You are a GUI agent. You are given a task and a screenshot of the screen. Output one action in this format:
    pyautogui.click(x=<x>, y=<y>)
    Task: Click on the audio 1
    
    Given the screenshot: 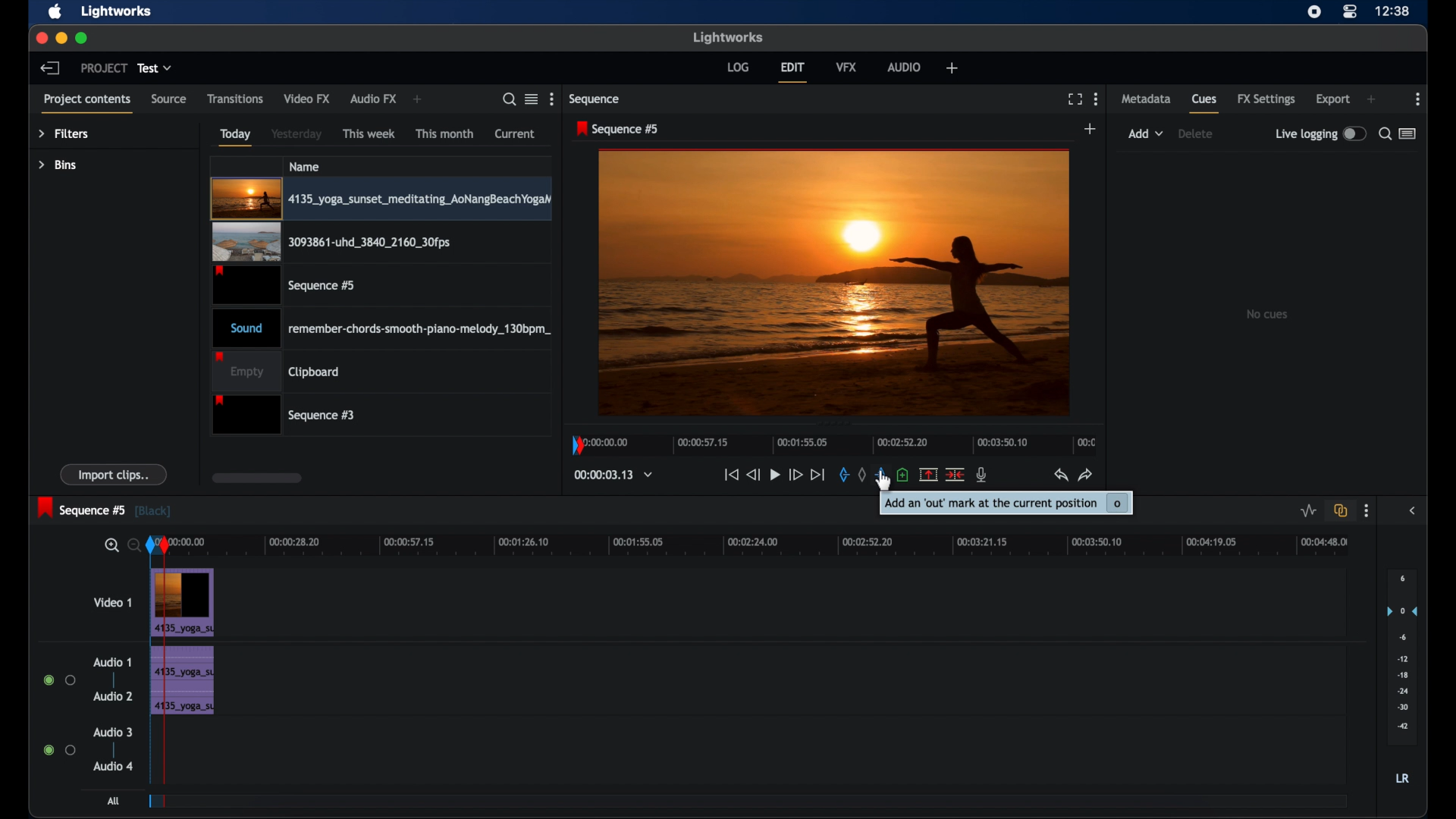 What is the action you would take?
    pyautogui.click(x=111, y=663)
    